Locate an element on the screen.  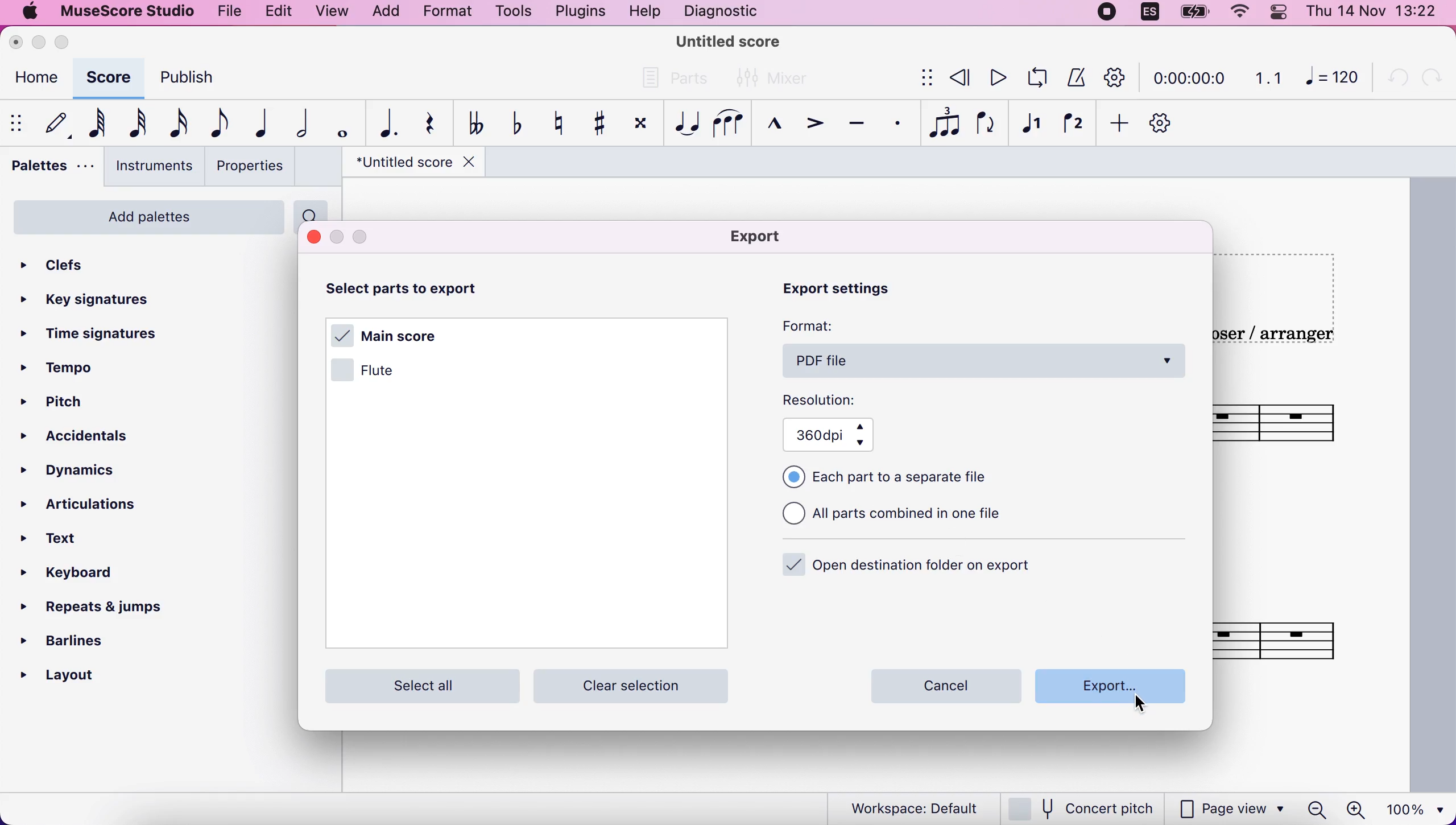
360 dpi is located at coordinates (839, 435).